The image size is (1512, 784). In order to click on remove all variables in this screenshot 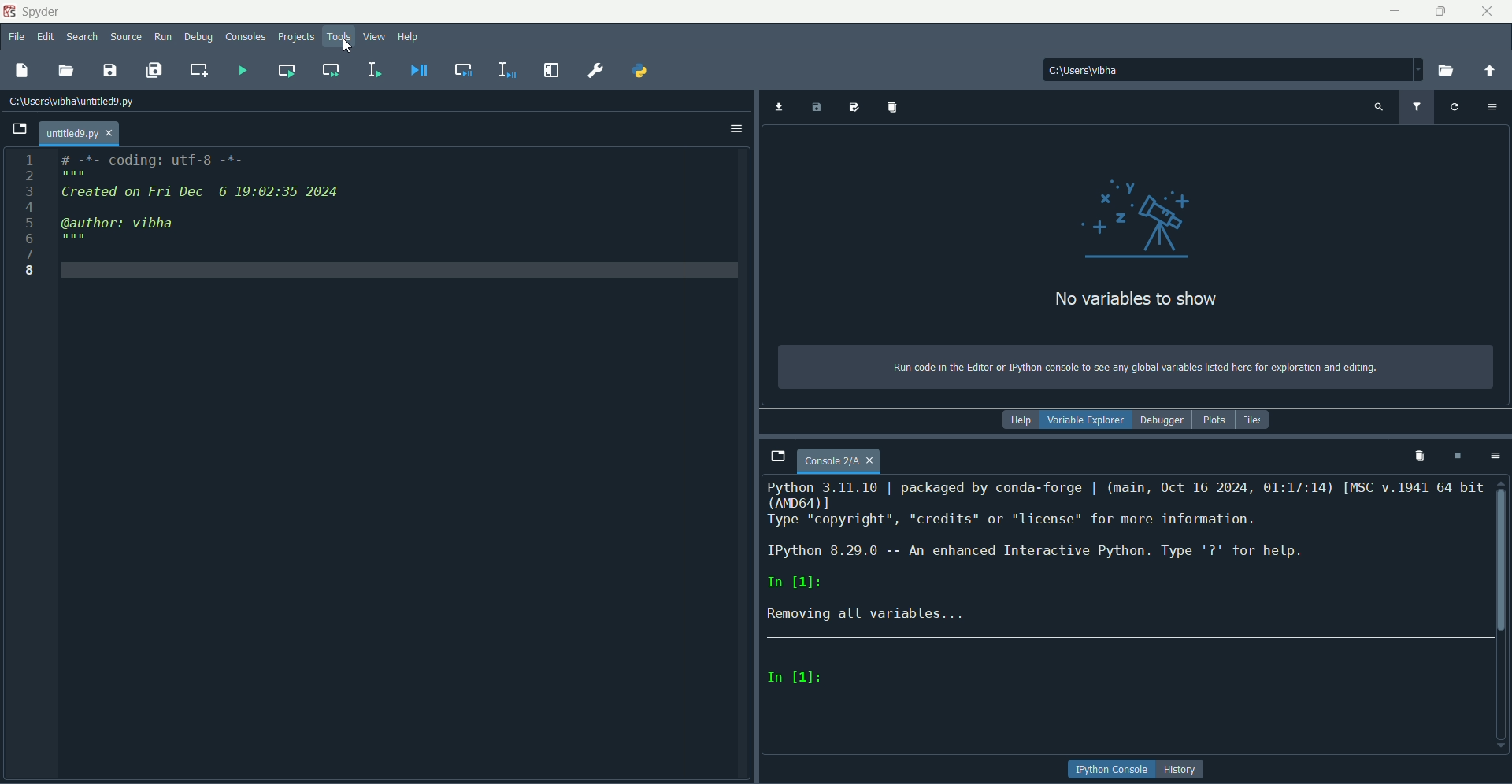, I will do `click(895, 106)`.